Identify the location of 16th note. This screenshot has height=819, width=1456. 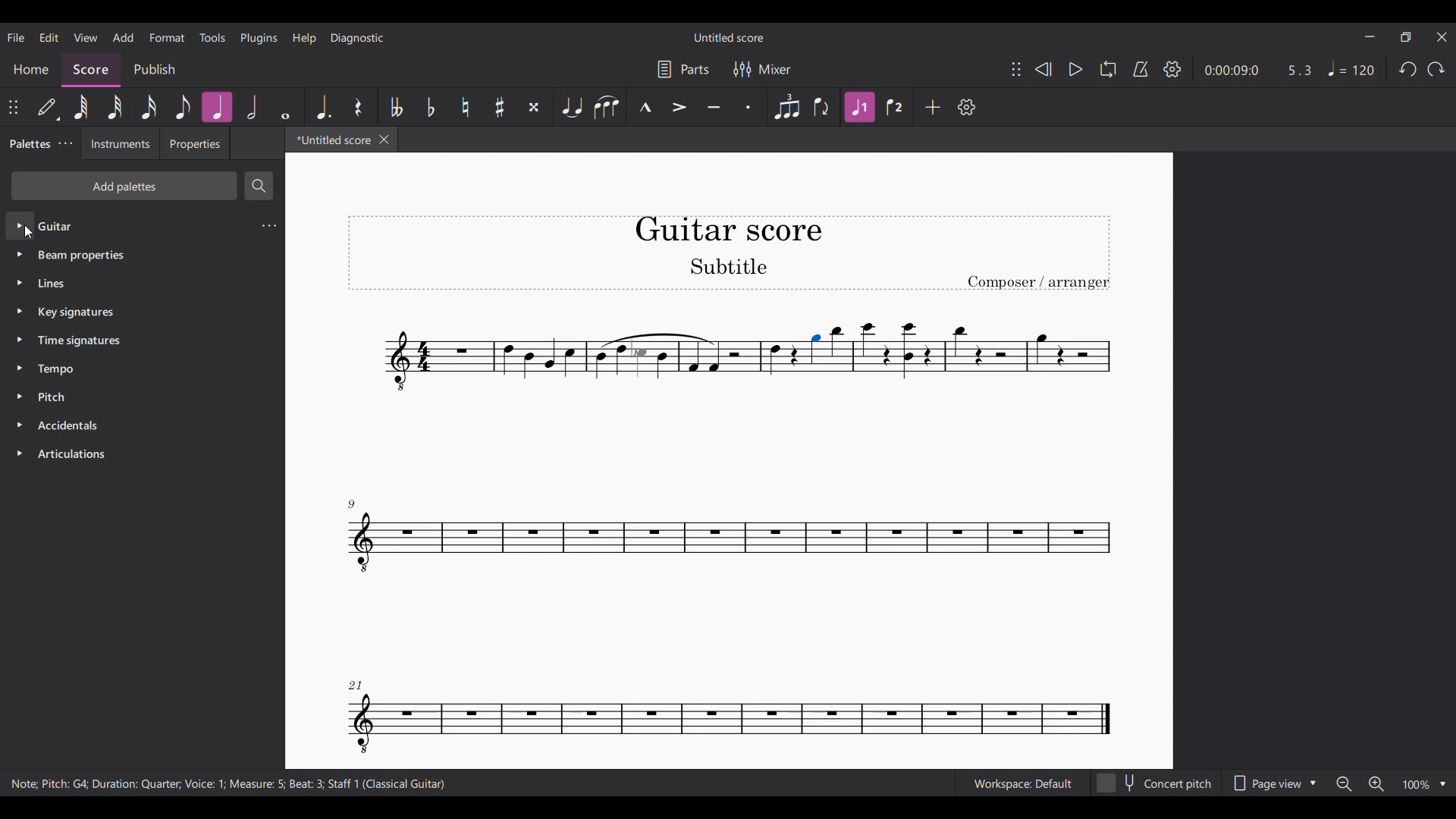
(149, 107).